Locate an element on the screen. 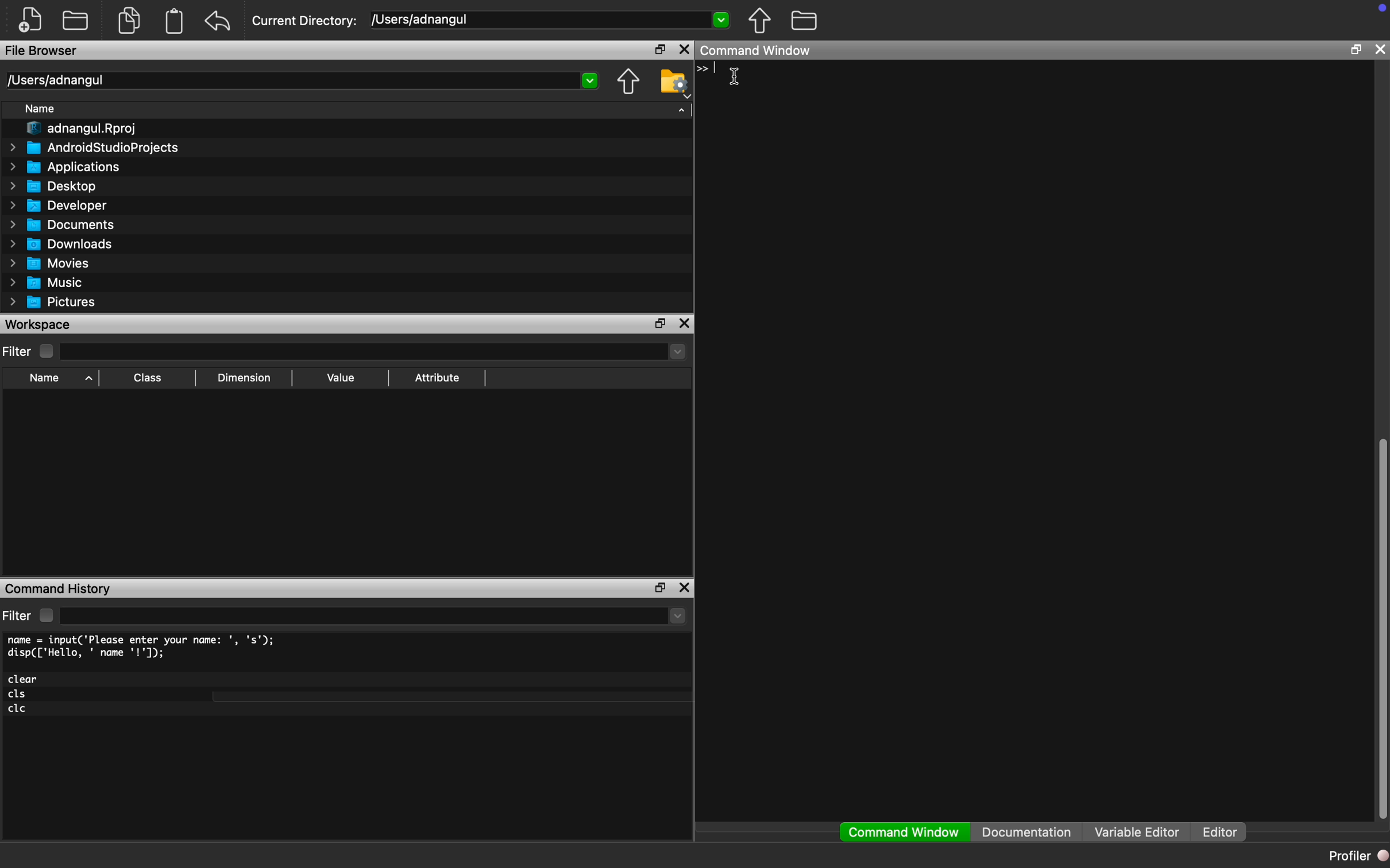  Folder is located at coordinates (75, 20).